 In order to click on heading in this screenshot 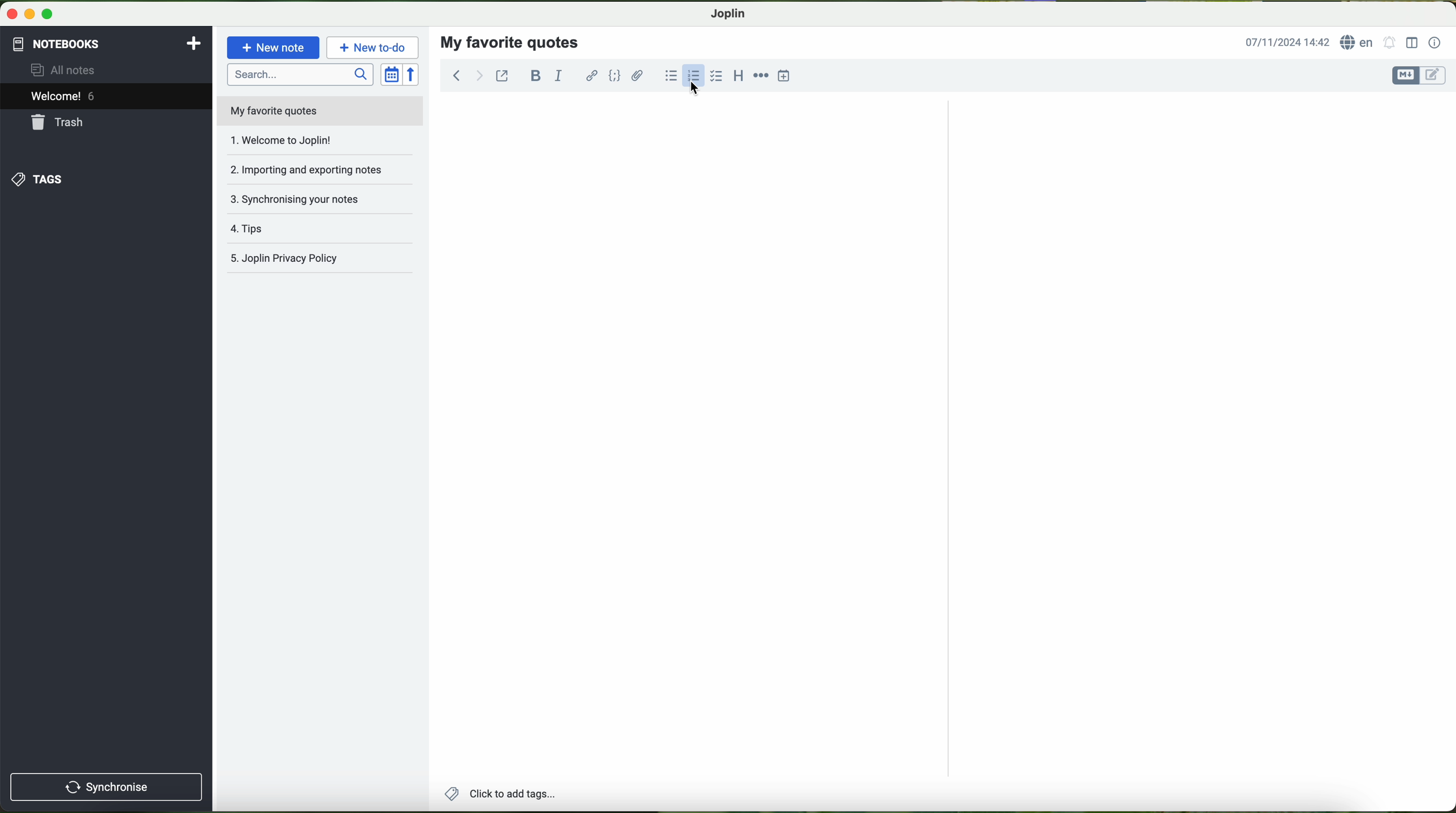, I will do `click(740, 77)`.